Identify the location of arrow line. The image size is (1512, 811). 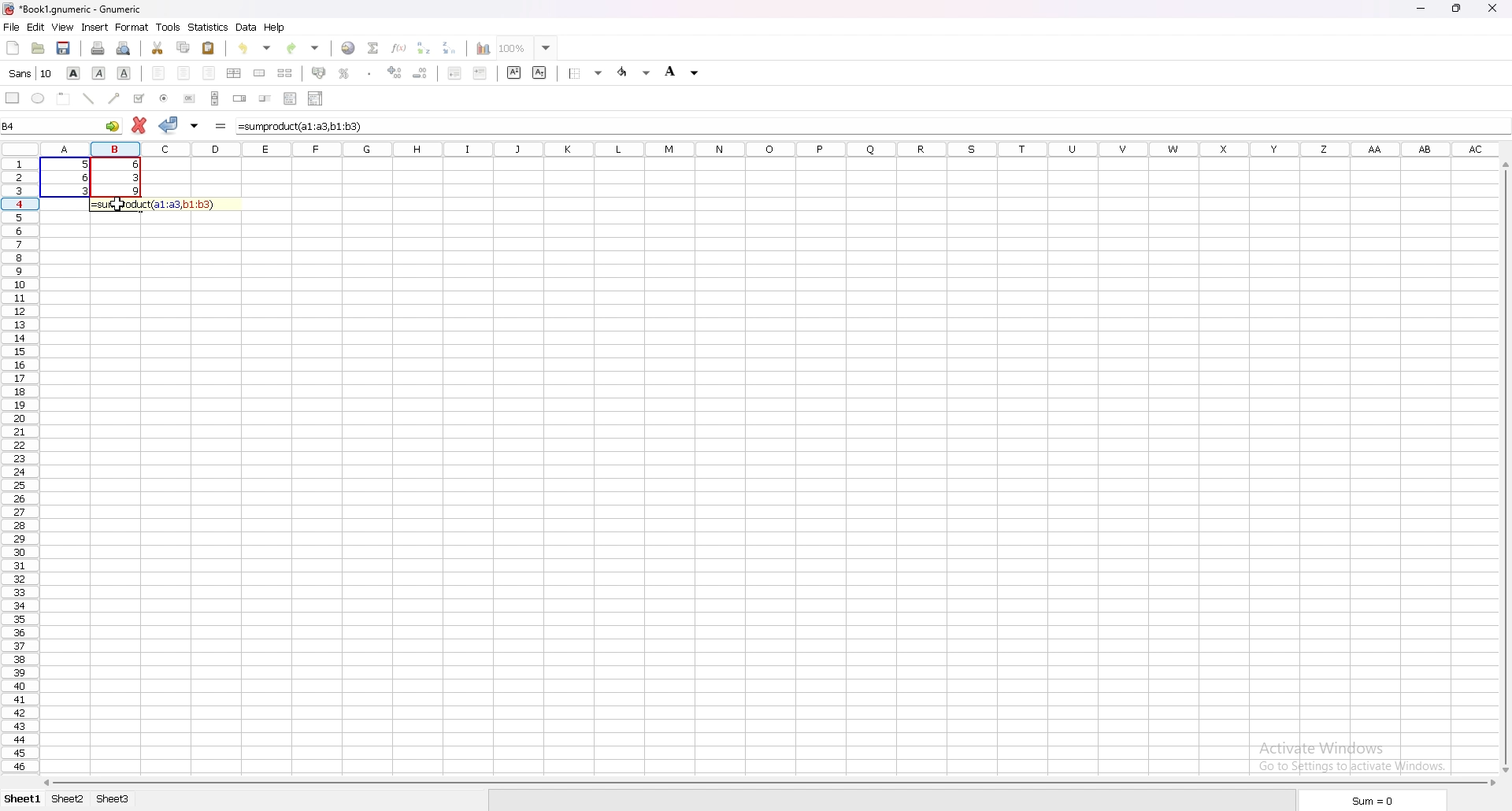
(113, 98).